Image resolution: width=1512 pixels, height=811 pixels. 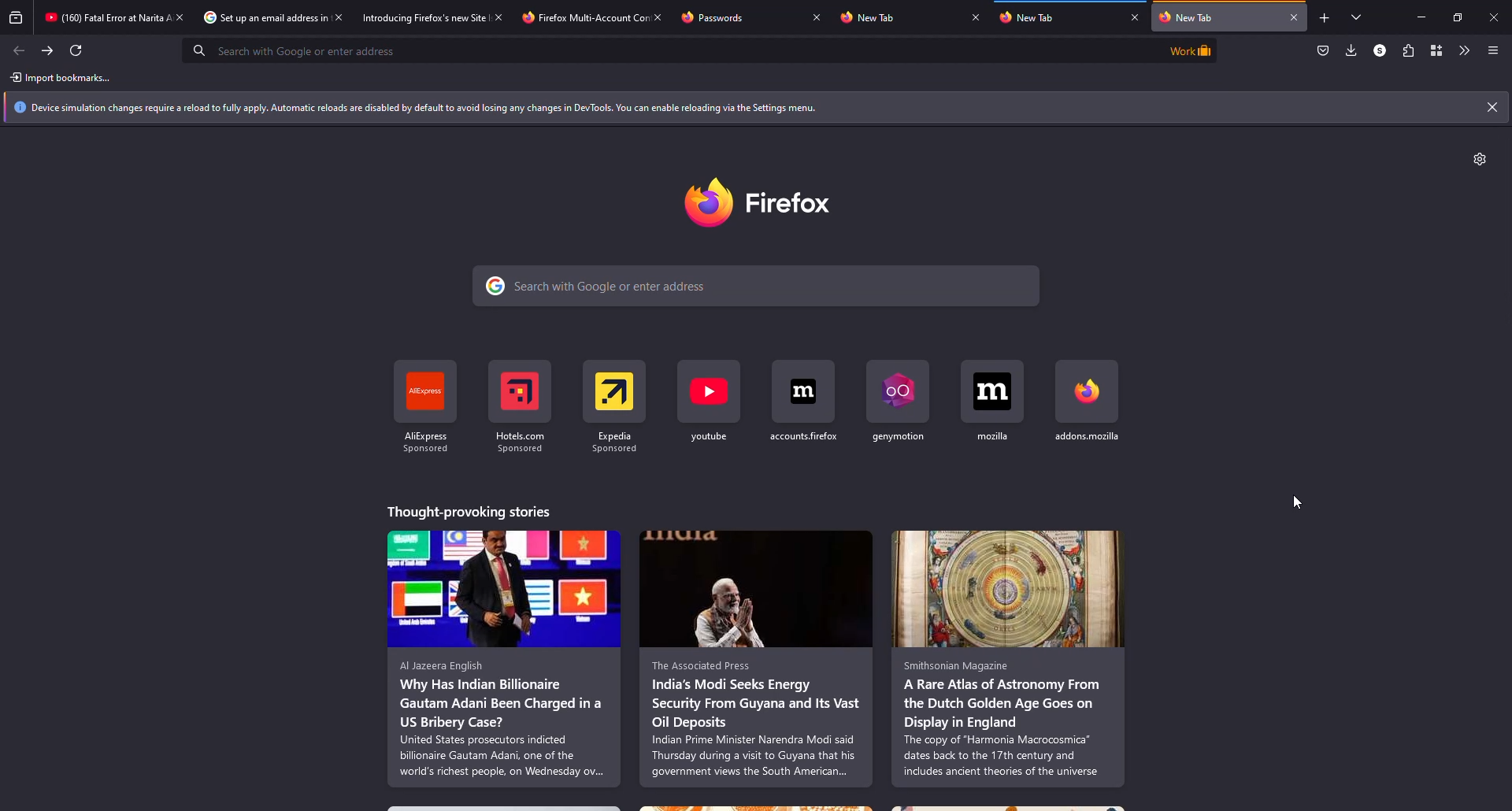 I want to click on import bookmarks, so click(x=64, y=78).